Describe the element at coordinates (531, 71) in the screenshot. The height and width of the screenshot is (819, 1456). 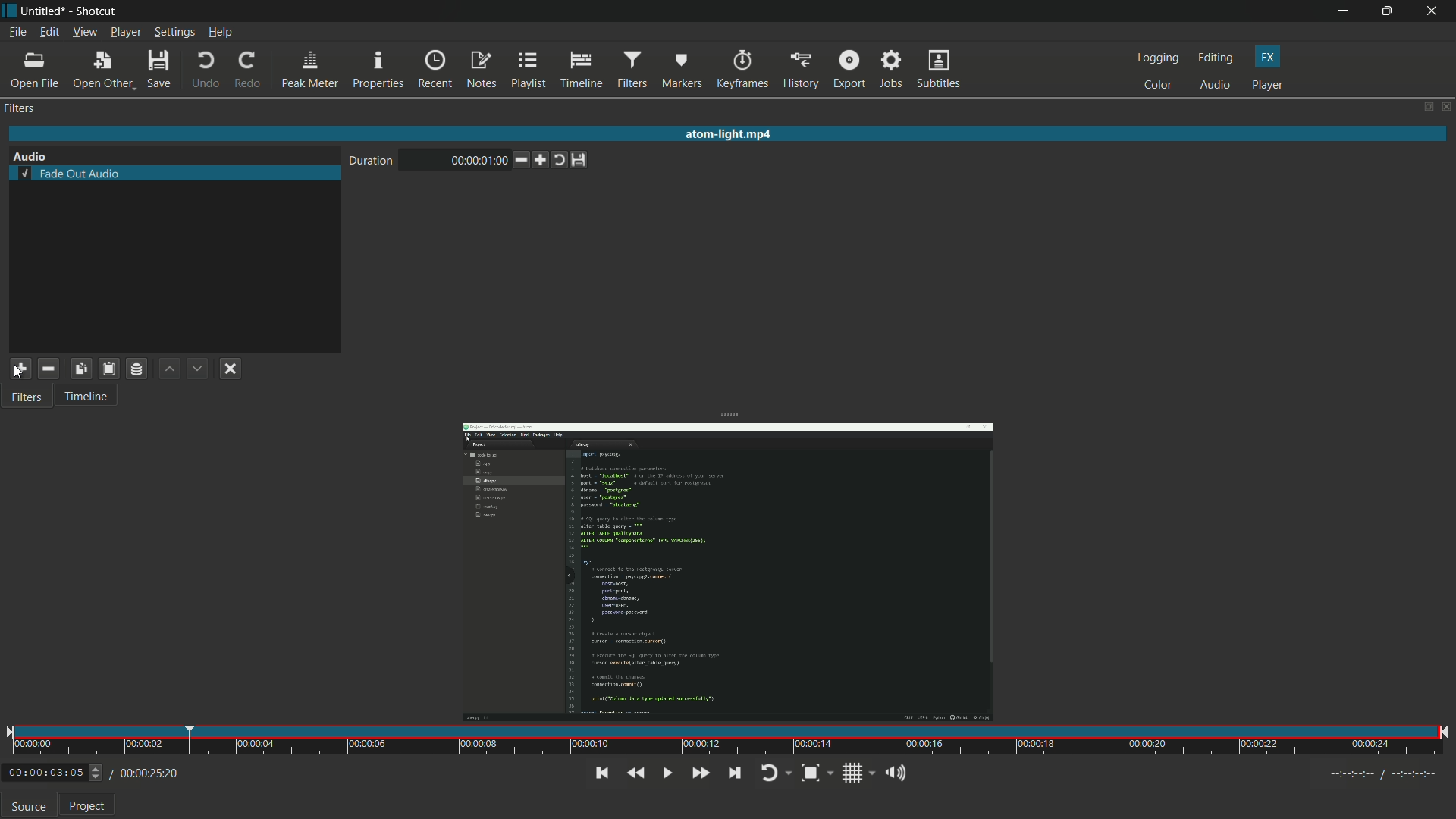
I see `playlist` at that location.